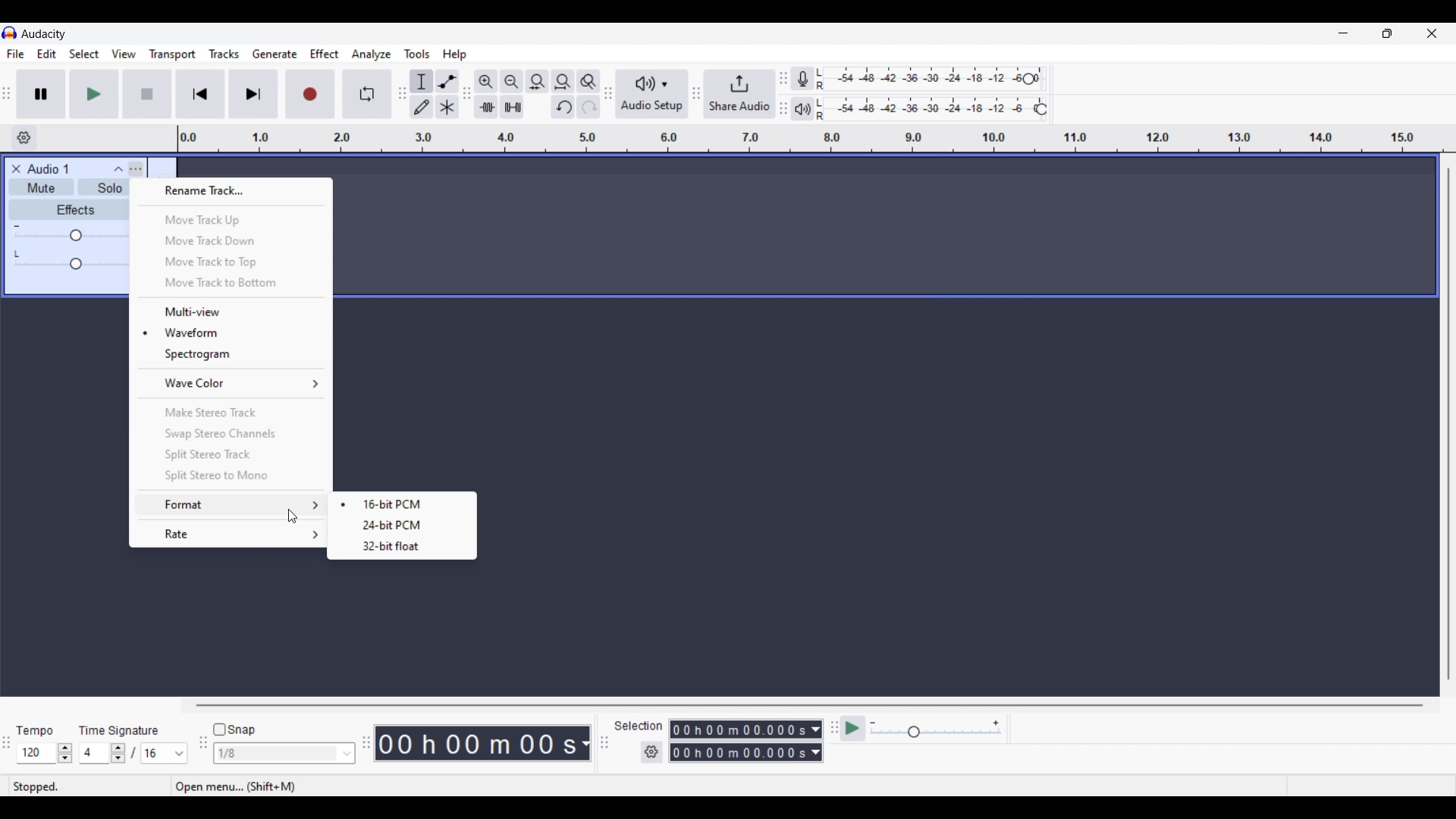 This screenshot has width=1456, height=819. What do you see at coordinates (55, 169) in the screenshot?
I see `Audio 1` at bounding box center [55, 169].